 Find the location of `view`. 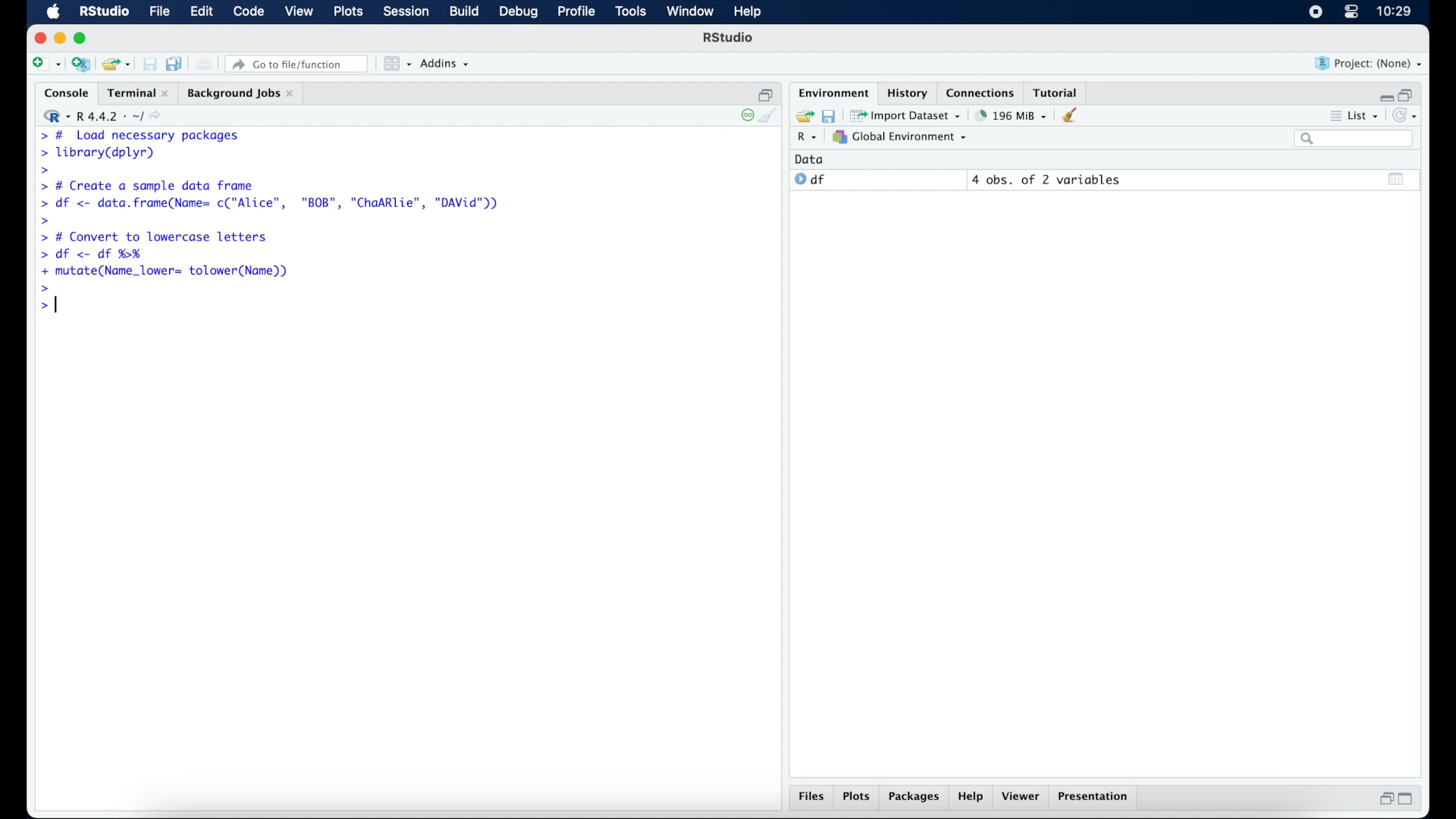

view is located at coordinates (300, 13).